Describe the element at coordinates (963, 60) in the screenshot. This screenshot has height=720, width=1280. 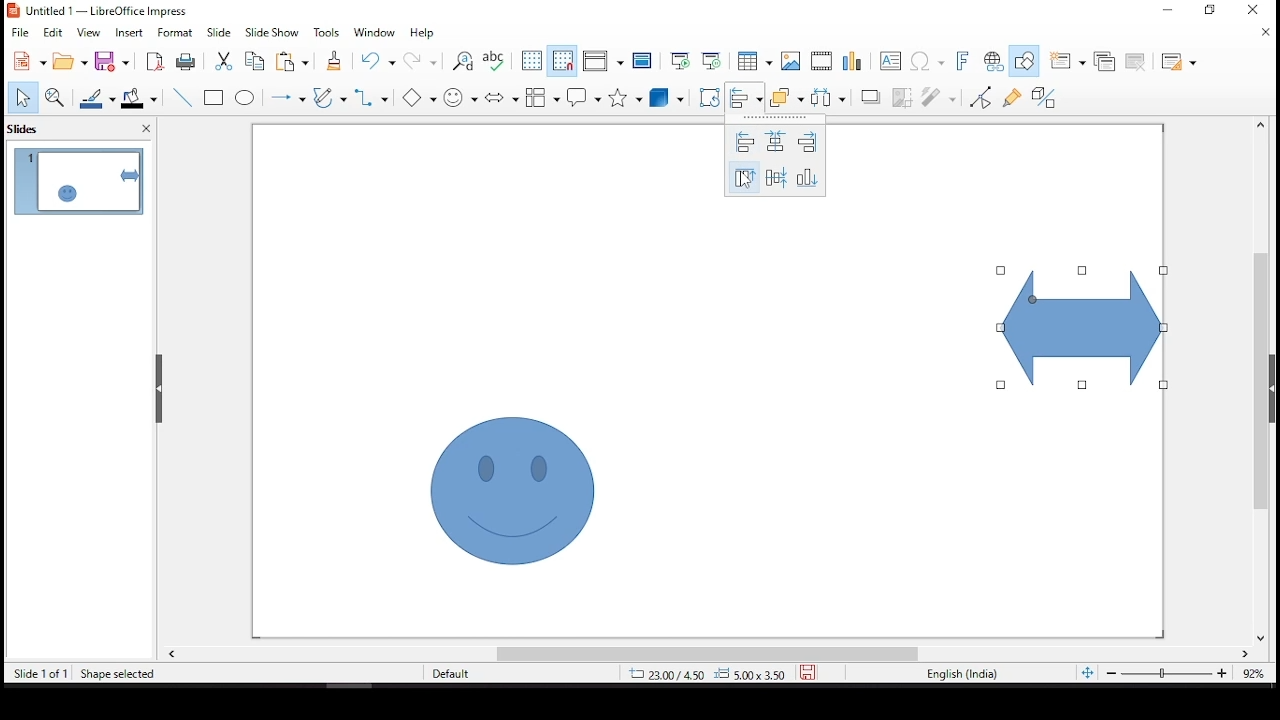
I see `insert font work text` at that location.